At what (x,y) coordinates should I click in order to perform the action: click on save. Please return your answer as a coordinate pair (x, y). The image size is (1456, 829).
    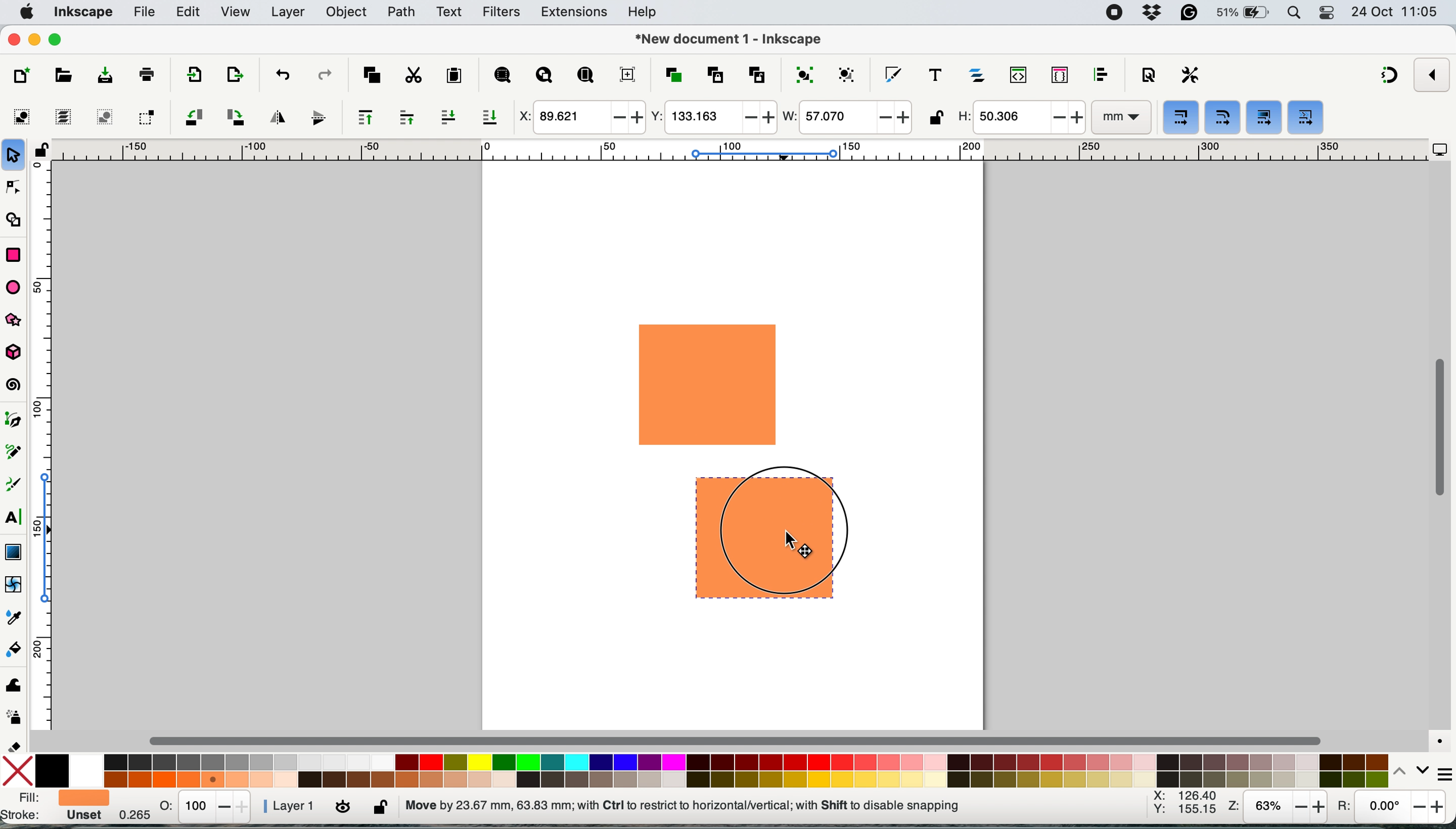
    Looking at the image, I should click on (96, 76).